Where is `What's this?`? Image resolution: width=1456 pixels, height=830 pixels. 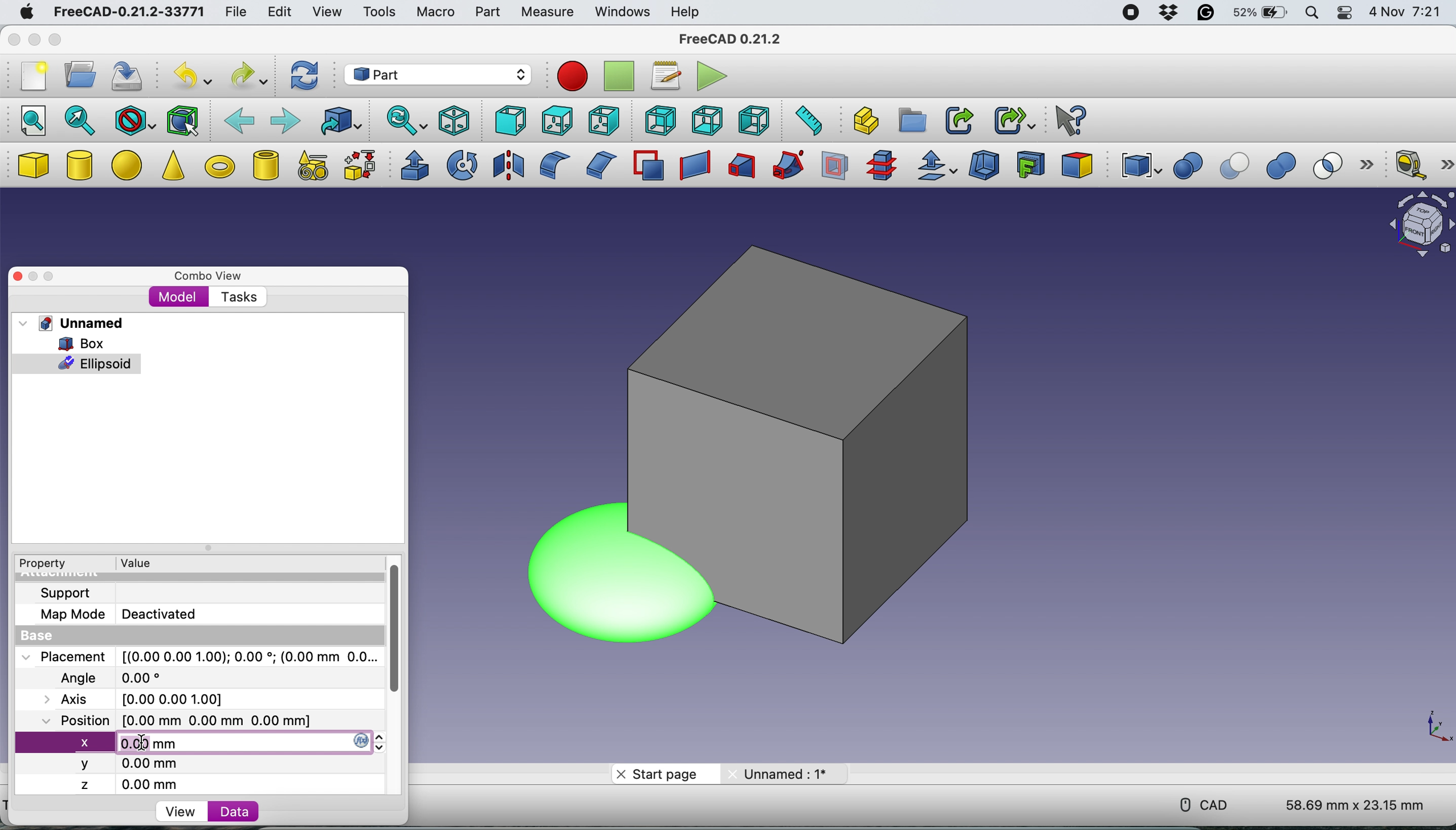 What's this? is located at coordinates (1068, 119).